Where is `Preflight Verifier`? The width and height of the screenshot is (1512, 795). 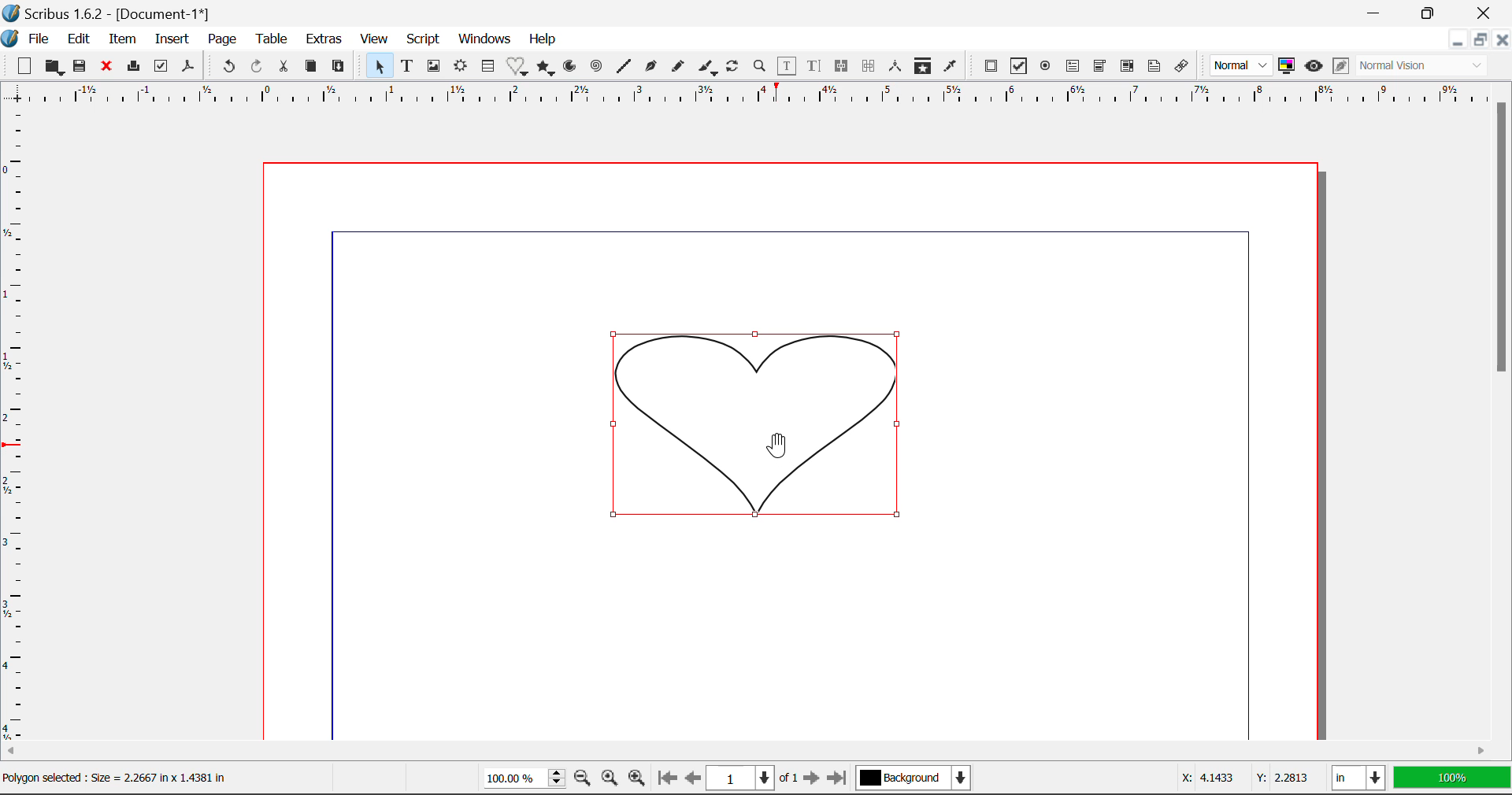 Preflight Verifier is located at coordinates (162, 70).